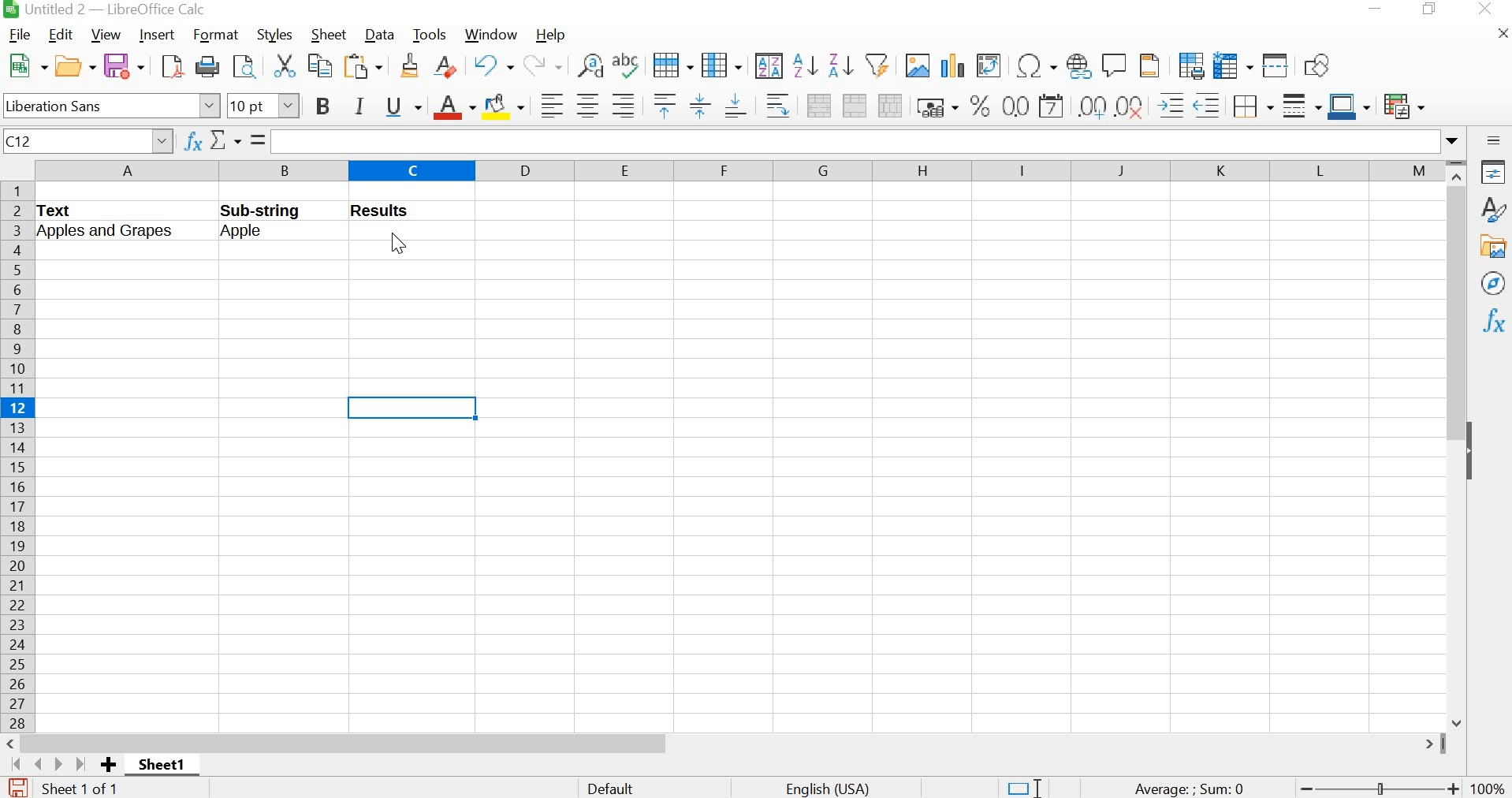  What do you see at coordinates (1186, 789) in the screenshot?
I see `formula` at bounding box center [1186, 789].